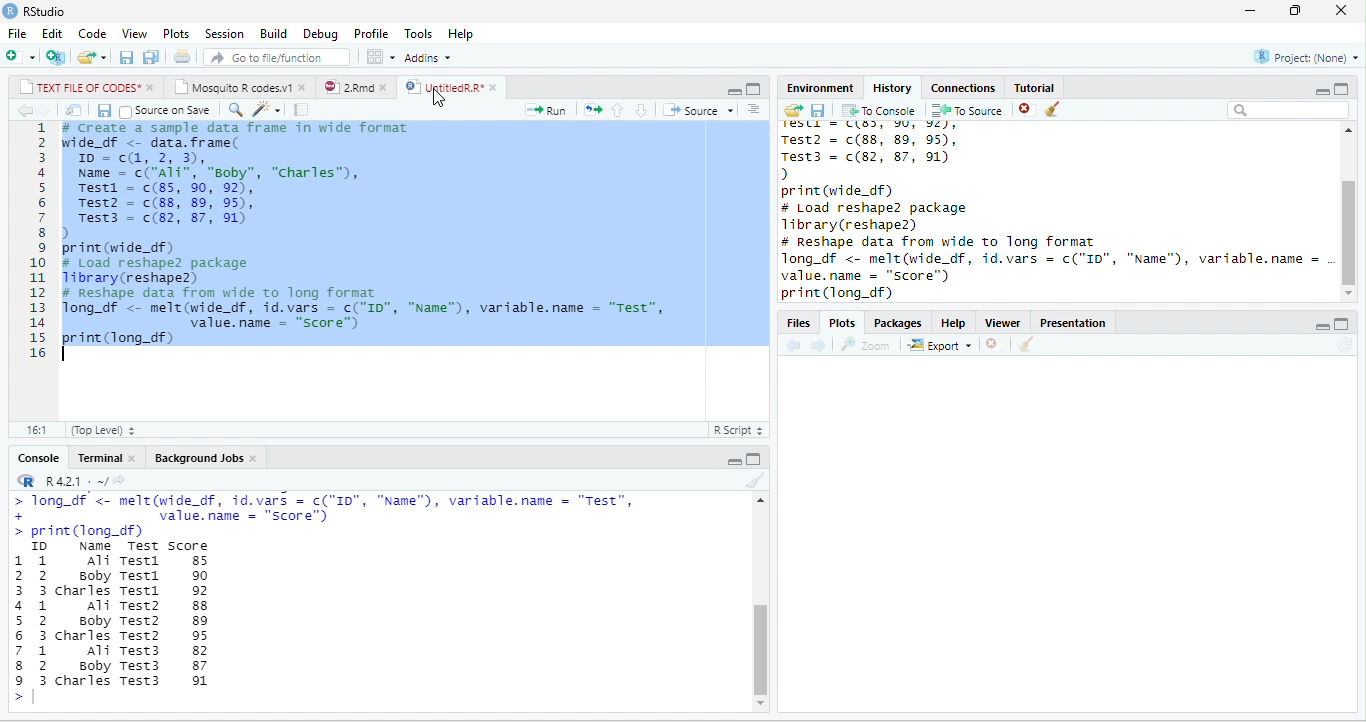 The width and height of the screenshot is (1366, 722). Describe the element at coordinates (954, 323) in the screenshot. I see `Help` at that location.